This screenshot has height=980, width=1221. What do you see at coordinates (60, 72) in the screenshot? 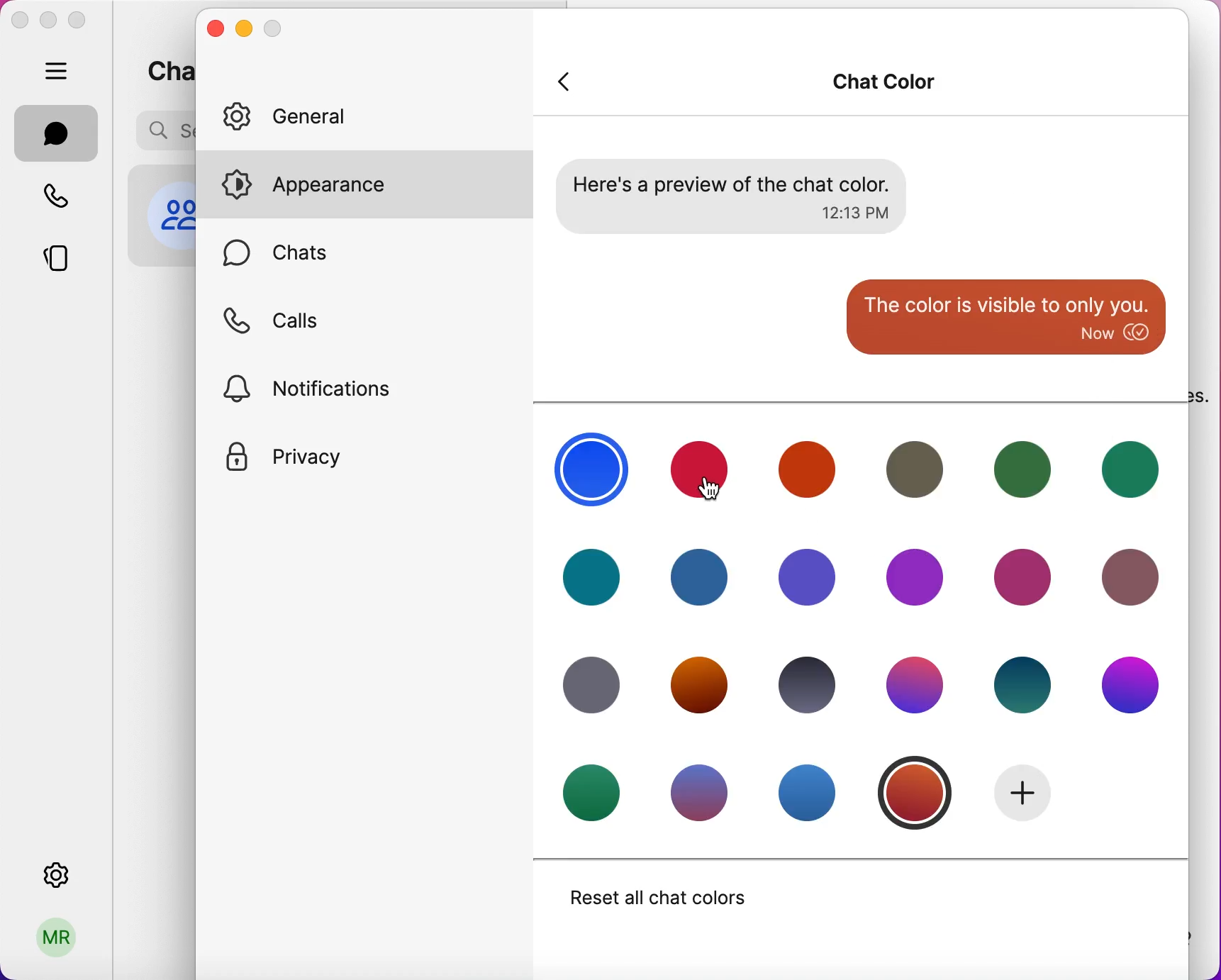
I see `hide bar` at bounding box center [60, 72].